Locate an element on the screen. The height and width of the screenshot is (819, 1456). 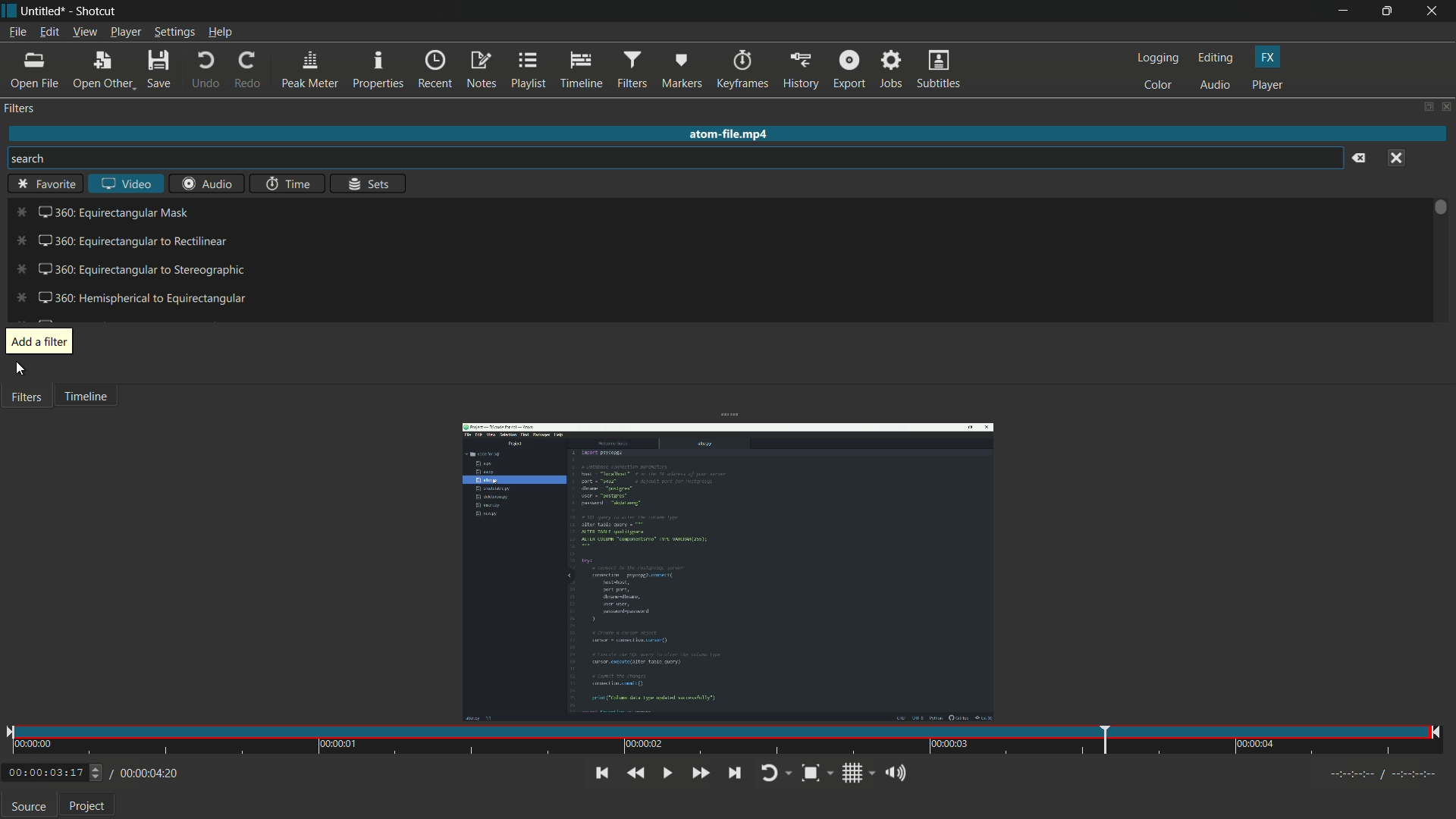
skip to the next point is located at coordinates (734, 773).